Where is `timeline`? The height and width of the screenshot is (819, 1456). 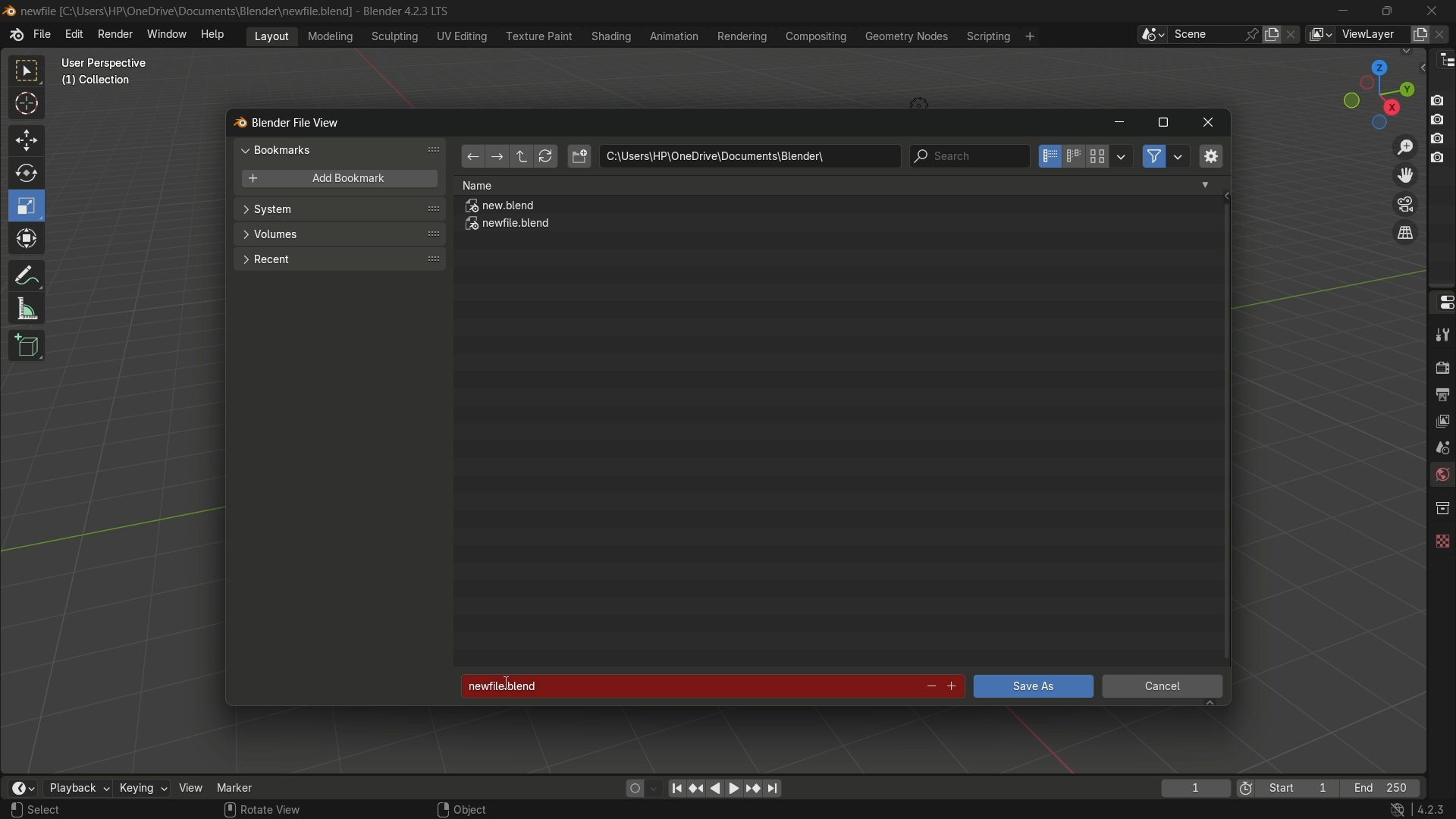
timeline is located at coordinates (22, 788).